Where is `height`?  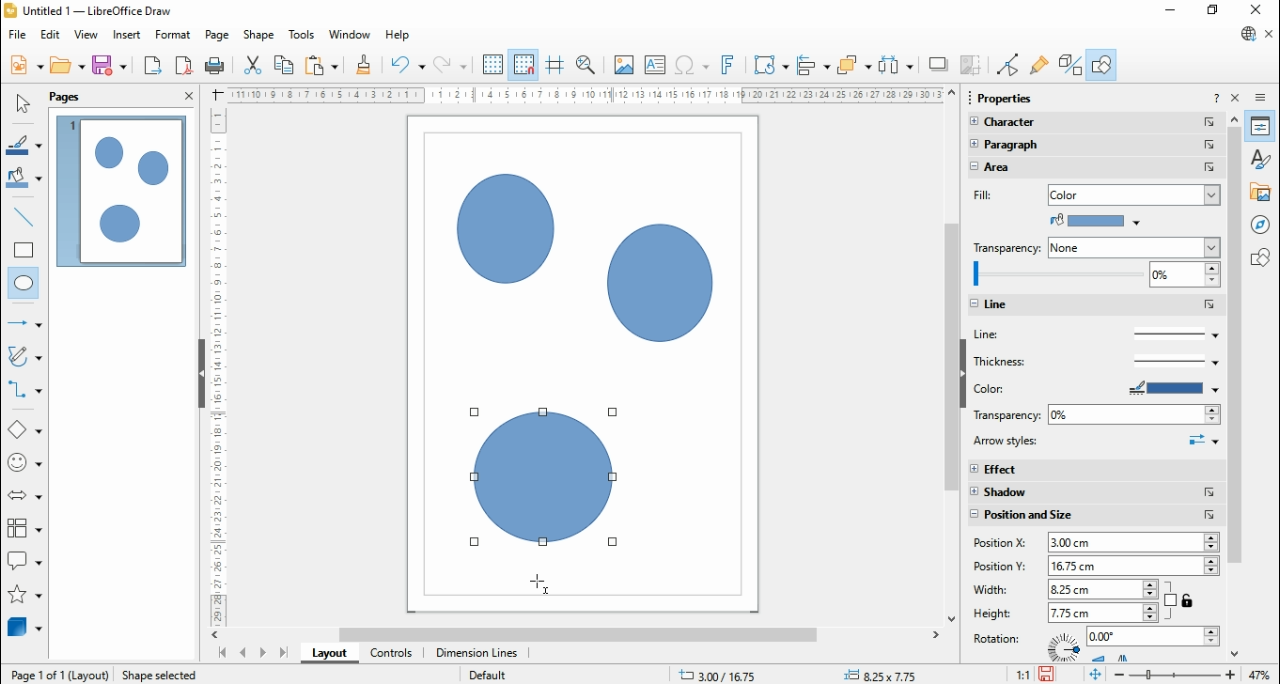
height is located at coordinates (997, 613).